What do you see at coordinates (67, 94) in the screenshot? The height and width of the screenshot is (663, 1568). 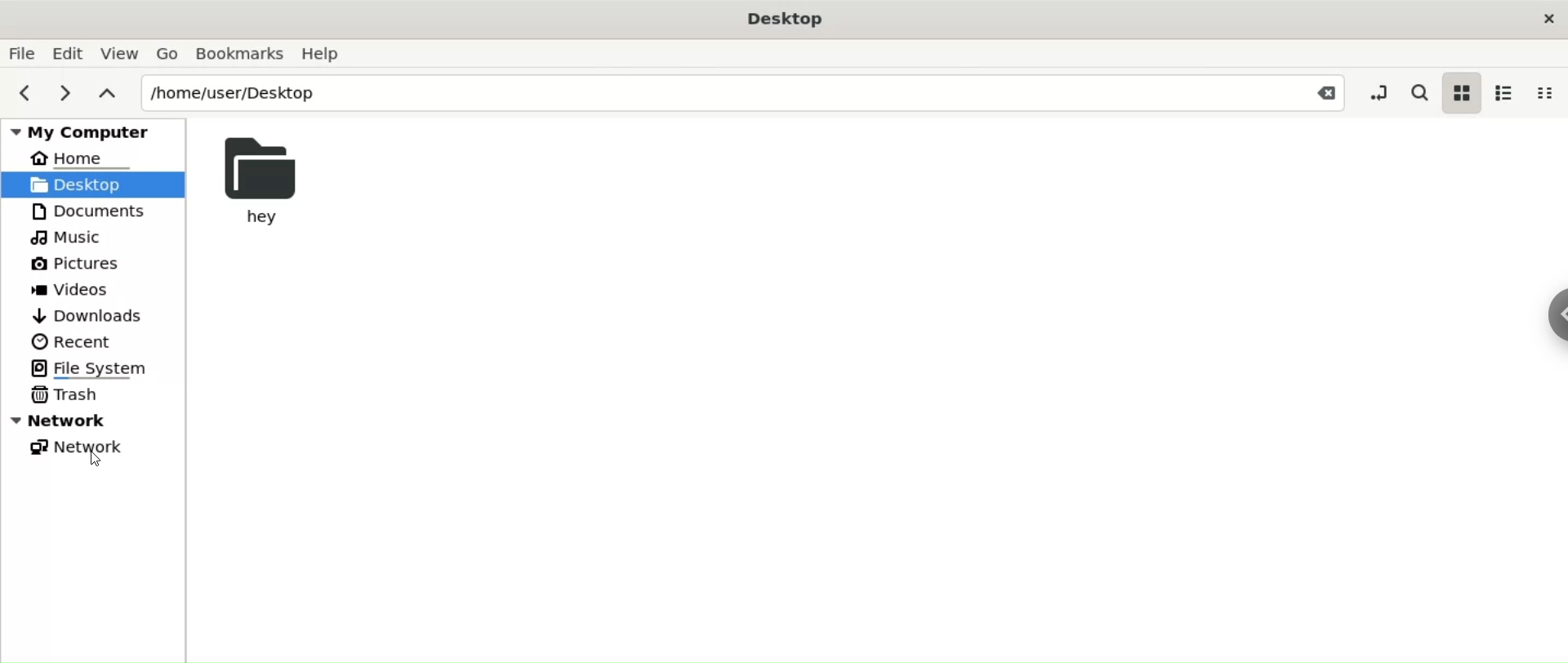 I see `next` at bounding box center [67, 94].